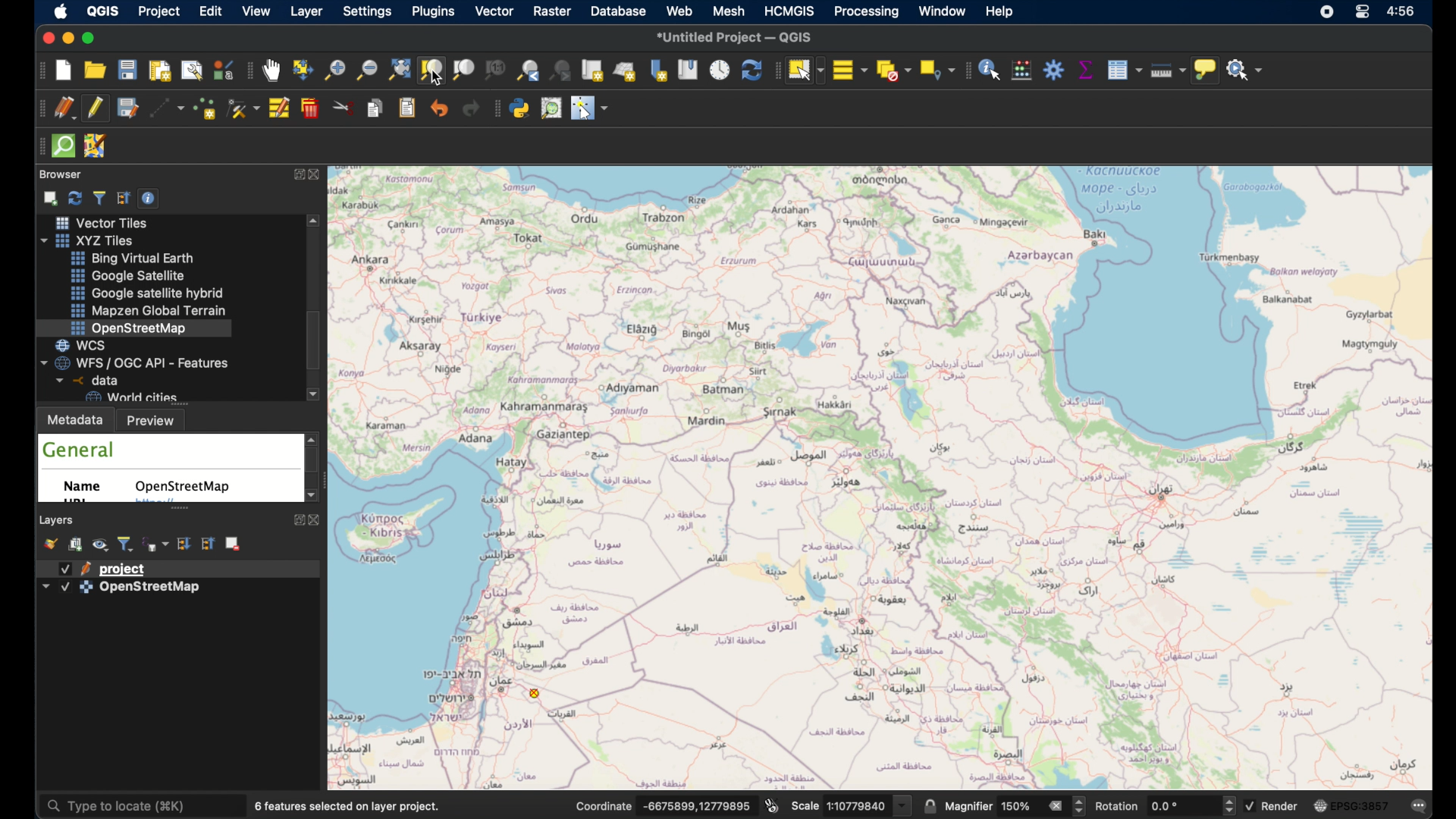 The width and height of the screenshot is (1456, 819). What do you see at coordinates (303, 69) in the screenshot?
I see `pan map to selection` at bounding box center [303, 69].